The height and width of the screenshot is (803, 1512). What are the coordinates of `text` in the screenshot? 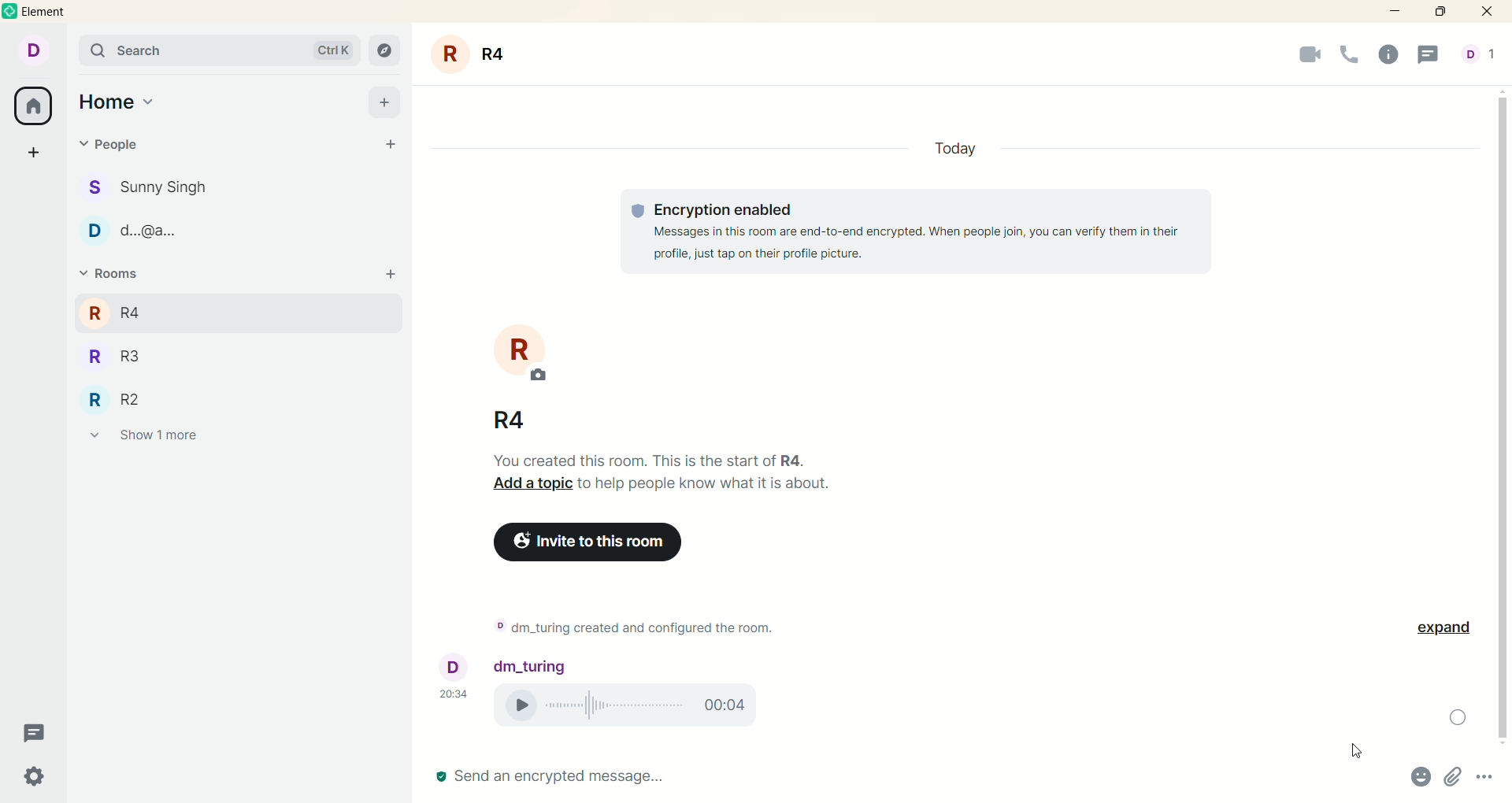 It's located at (636, 704).